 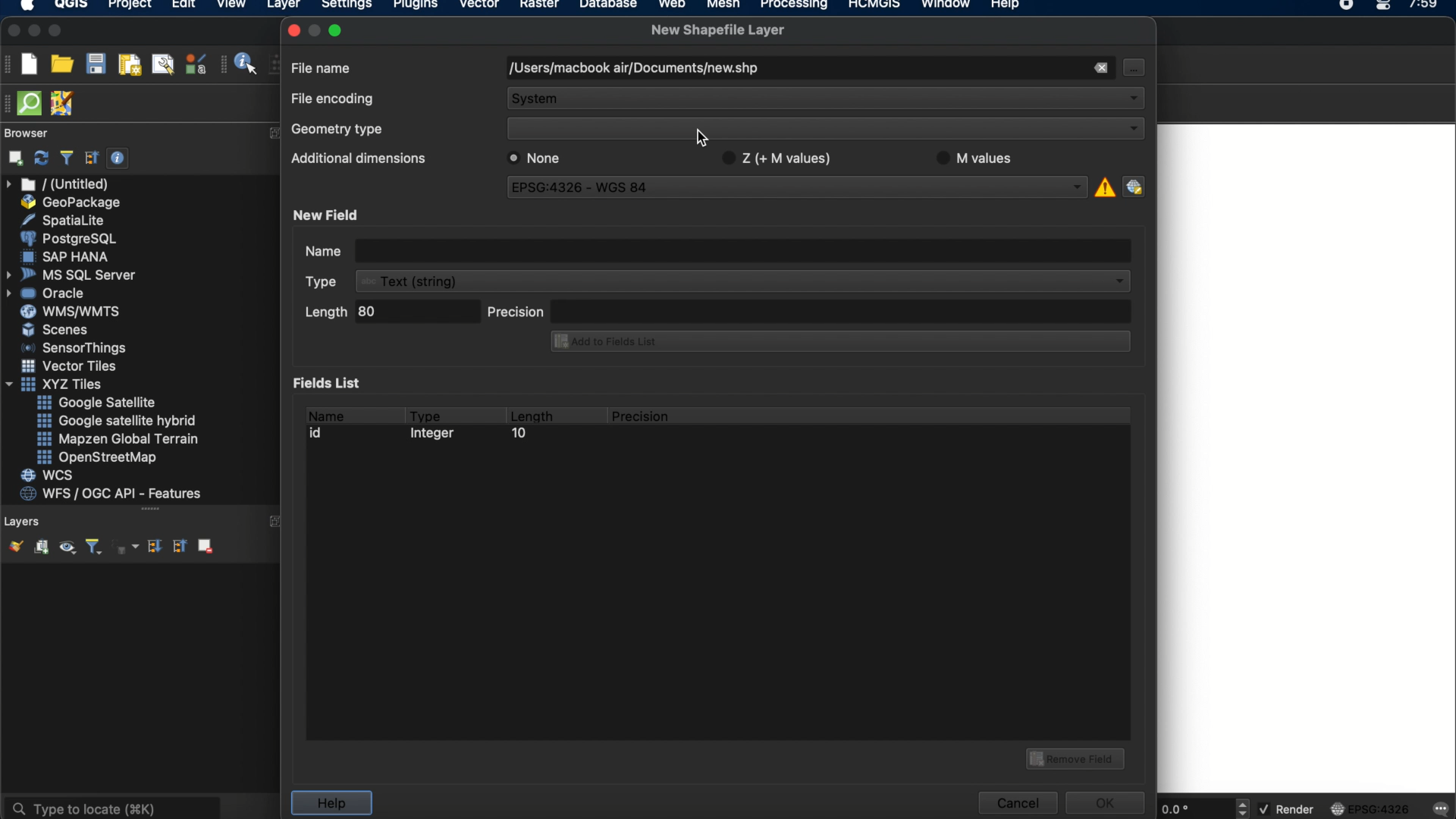 I want to click on time, so click(x=1425, y=9).